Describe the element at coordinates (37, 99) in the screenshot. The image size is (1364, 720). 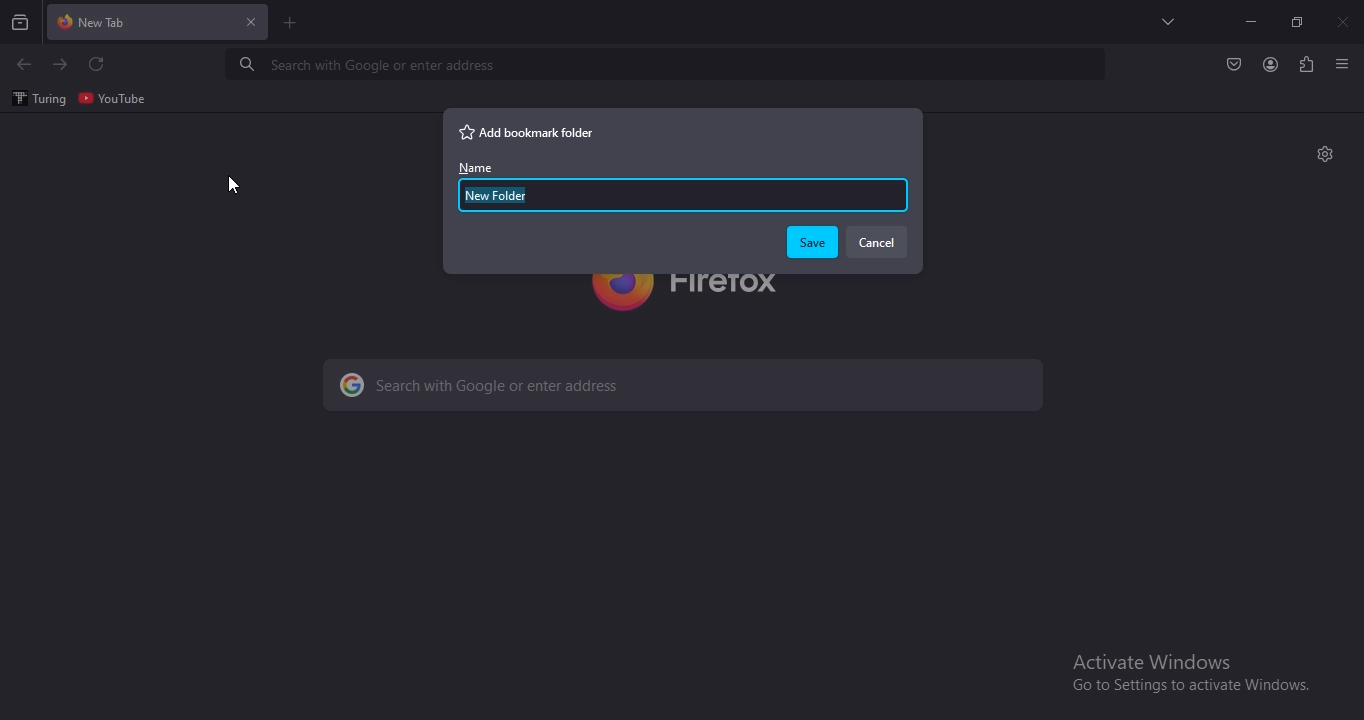
I see `turing` at that location.